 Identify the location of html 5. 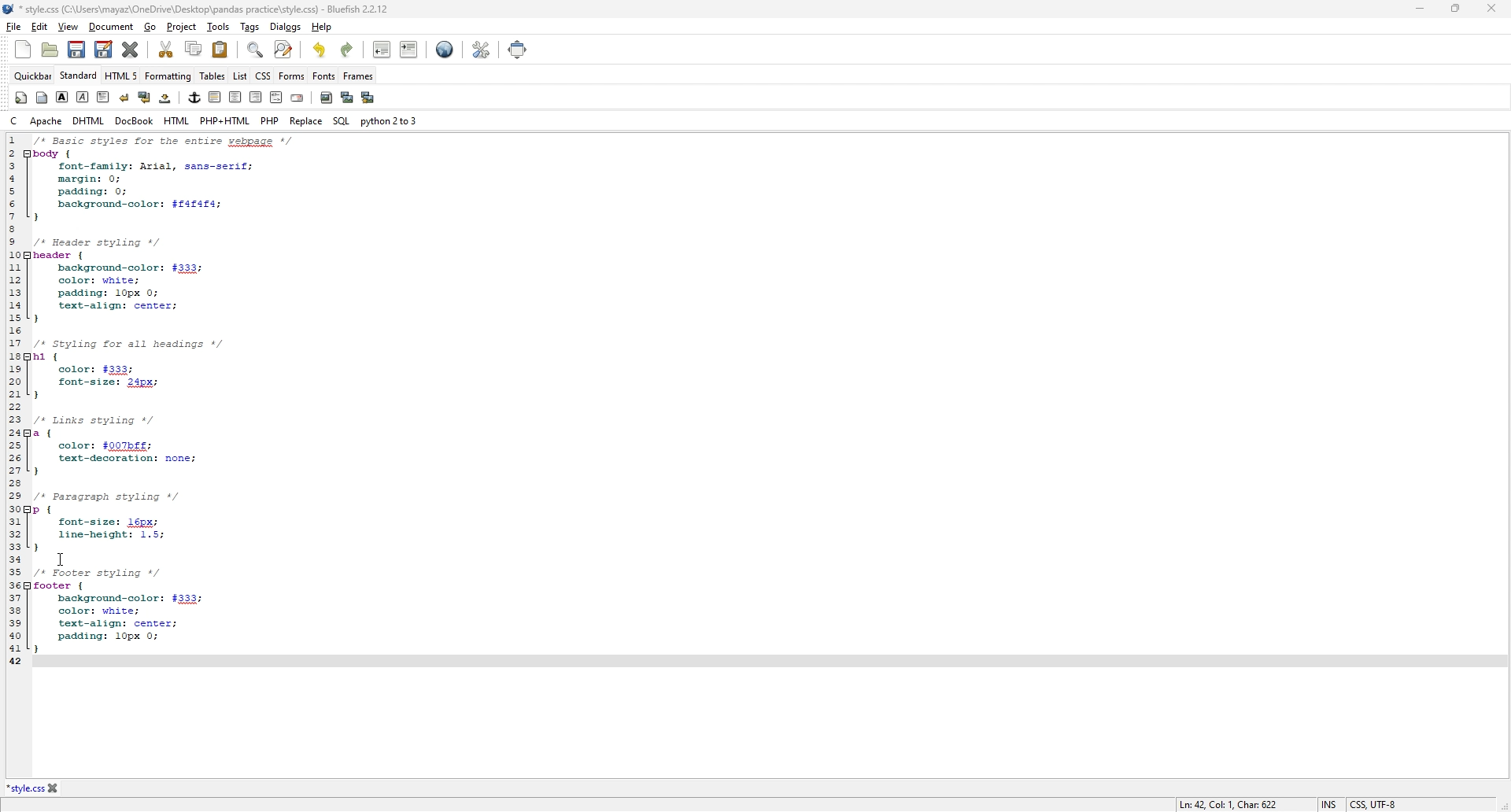
(122, 76).